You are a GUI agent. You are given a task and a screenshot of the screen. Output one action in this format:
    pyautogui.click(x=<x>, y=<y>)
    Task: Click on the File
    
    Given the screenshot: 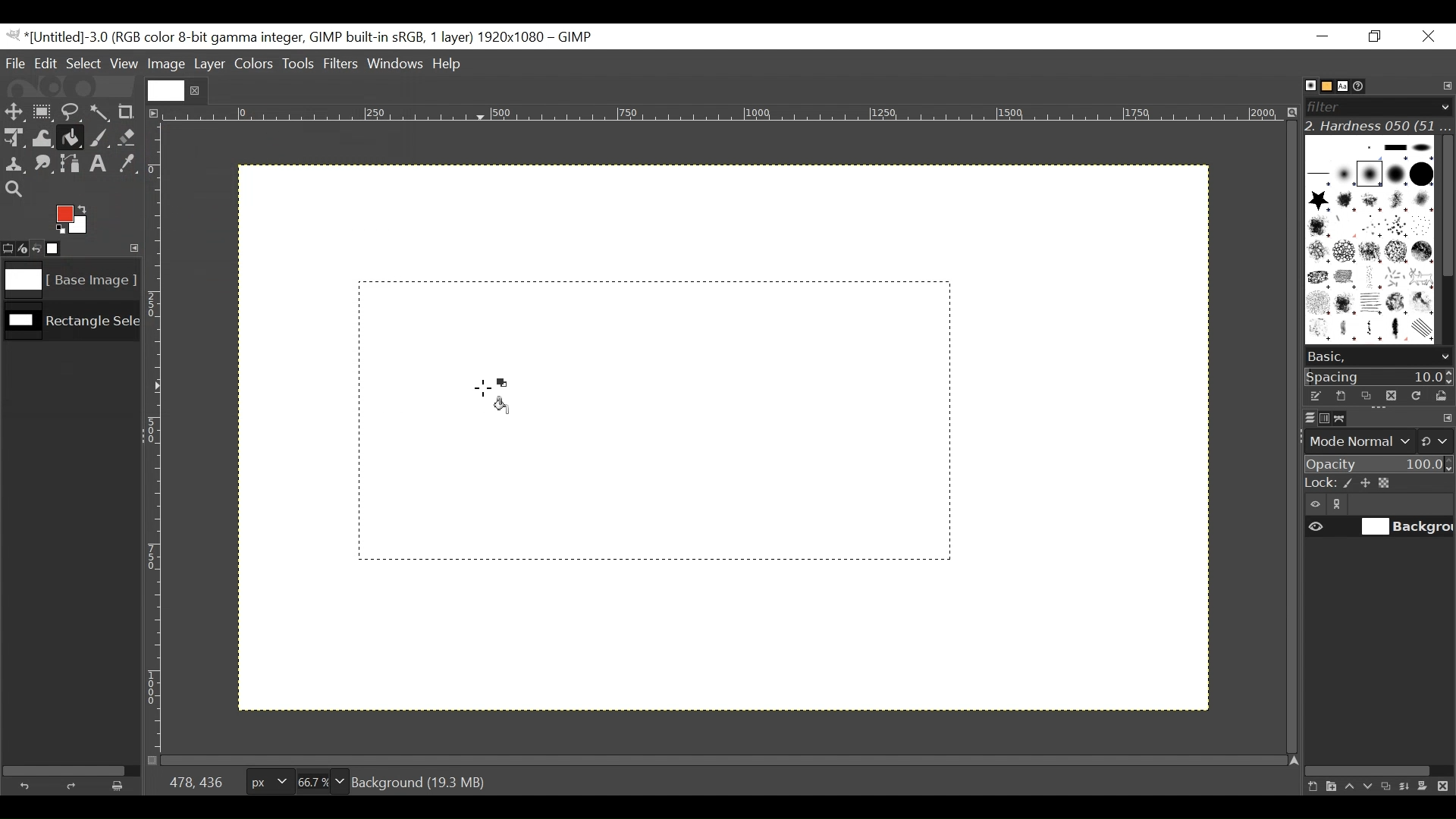 What is the action you would take?
    pyautogui.click(x=17, y=63)
    